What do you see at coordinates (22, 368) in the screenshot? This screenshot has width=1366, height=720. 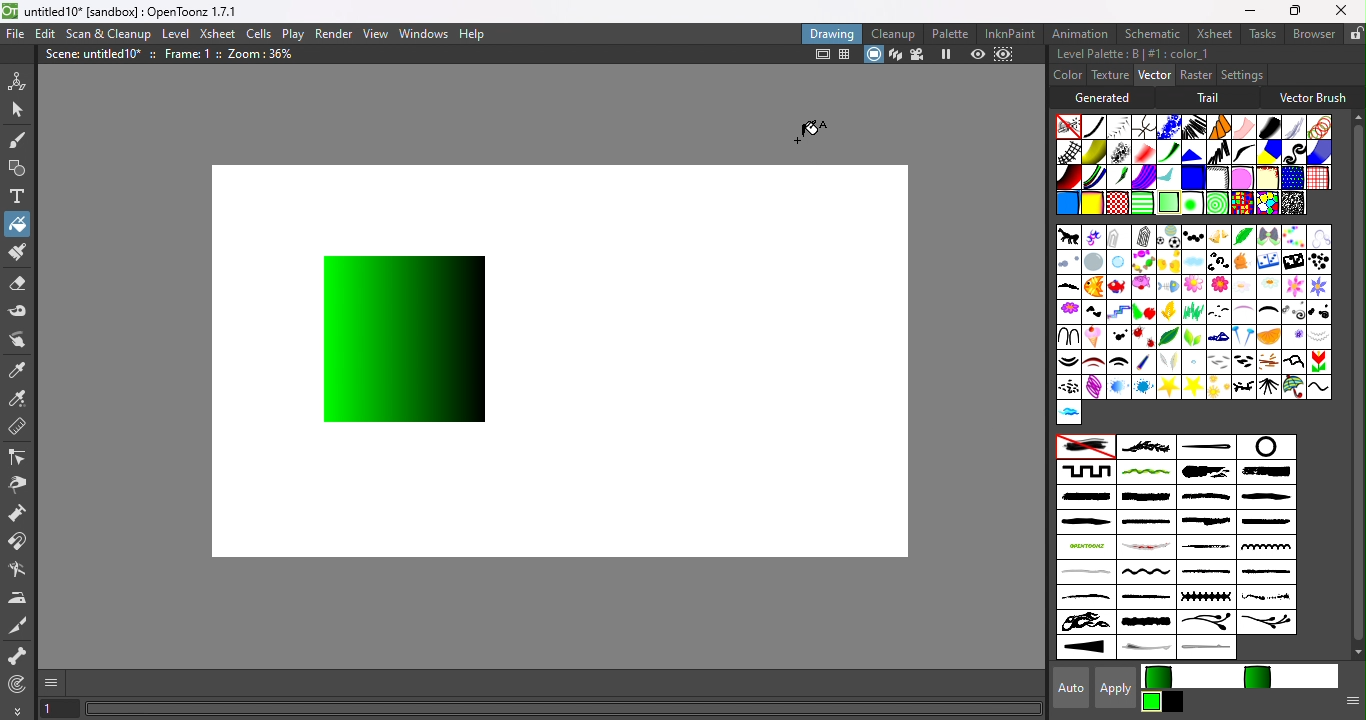 I see `Style picker tool` at bounding box center [22, 368].